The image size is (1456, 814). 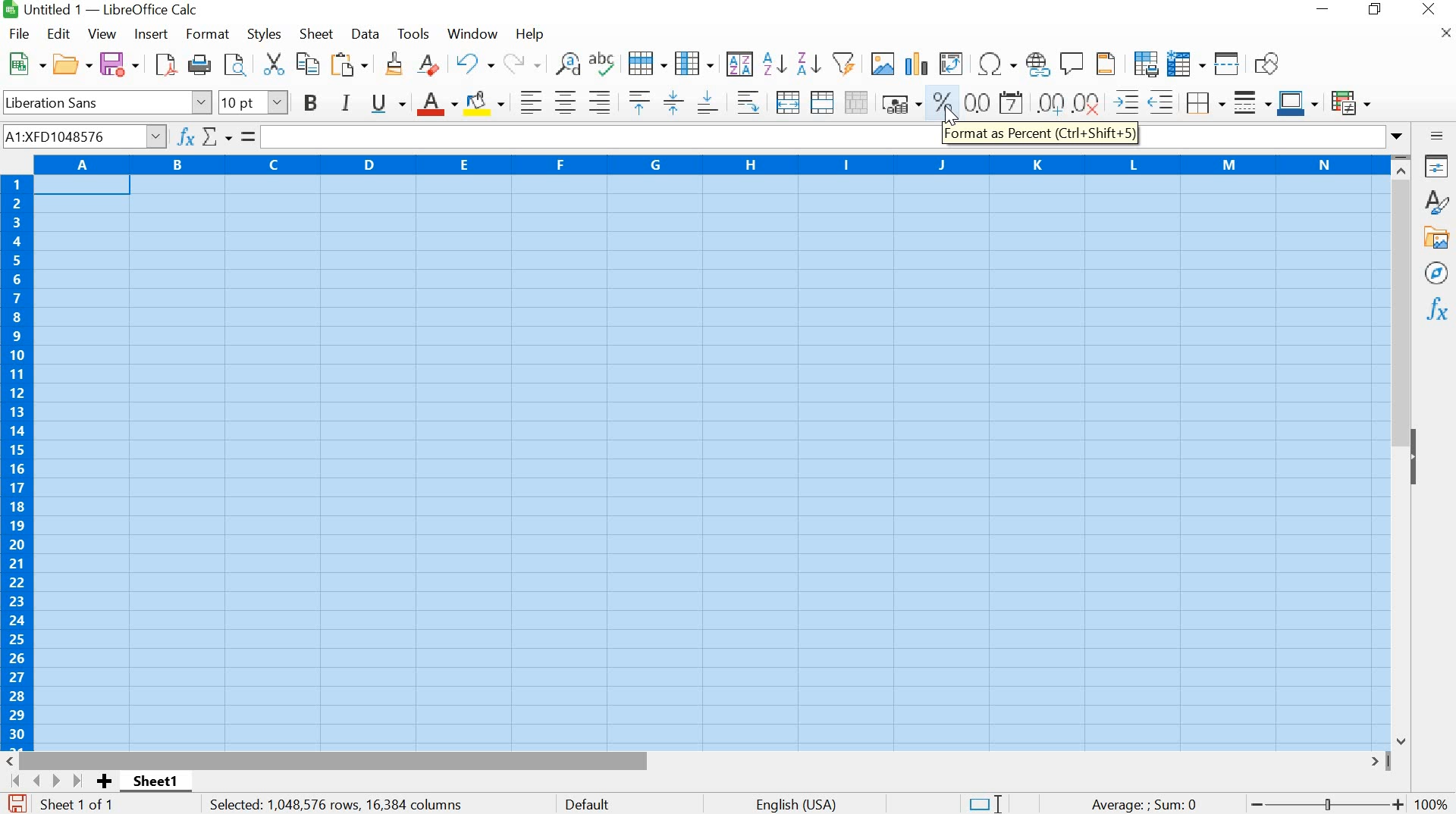 What do you see at coordinates (108, 781) in the screenshot?
I see `Add sheet` at bounding box center [108, 781].